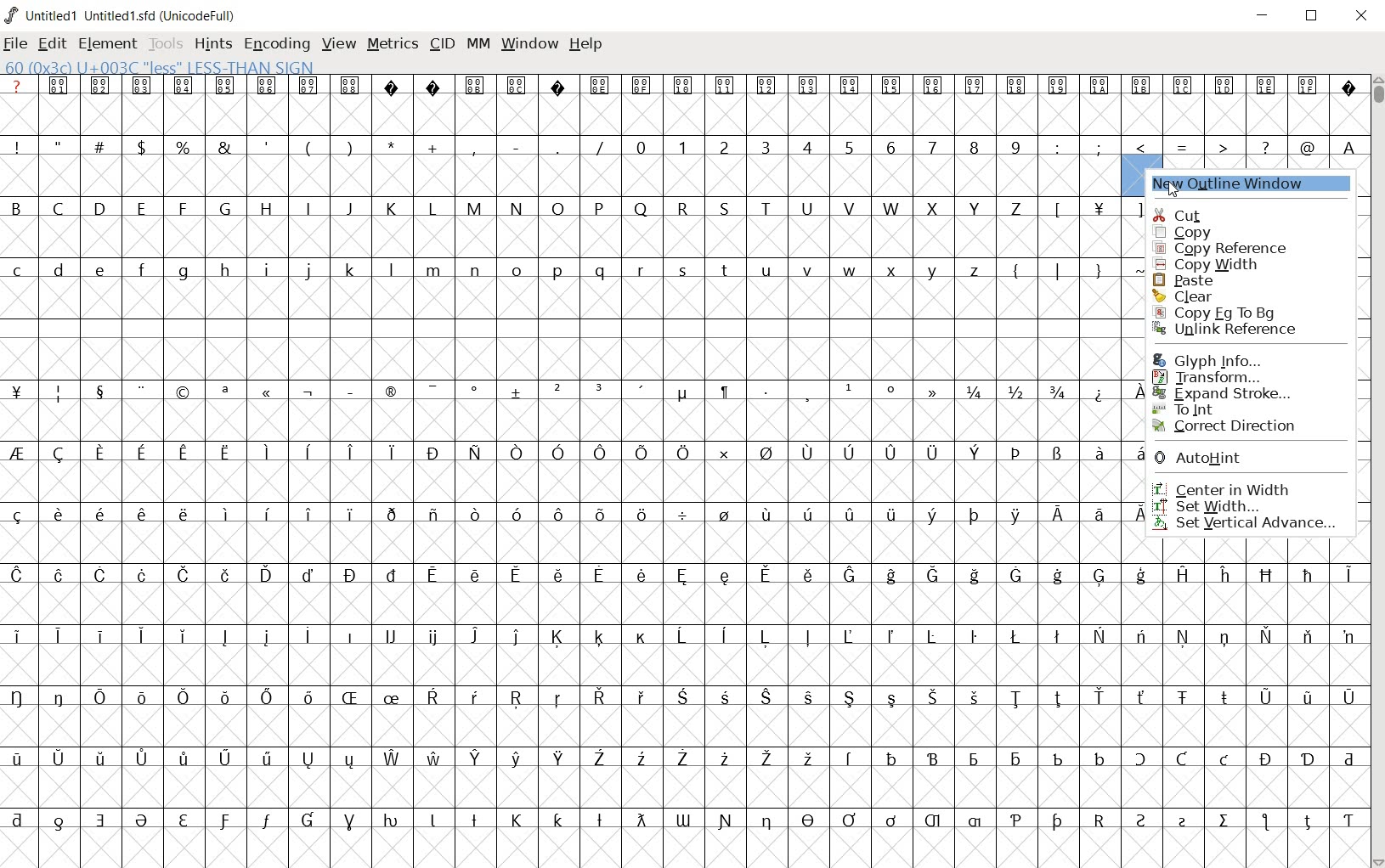 This screenshot has width=1385, height=868. Describe the element at coordinates (1223, 394) in the screenshot. I see `Expand Stroke` at that location.